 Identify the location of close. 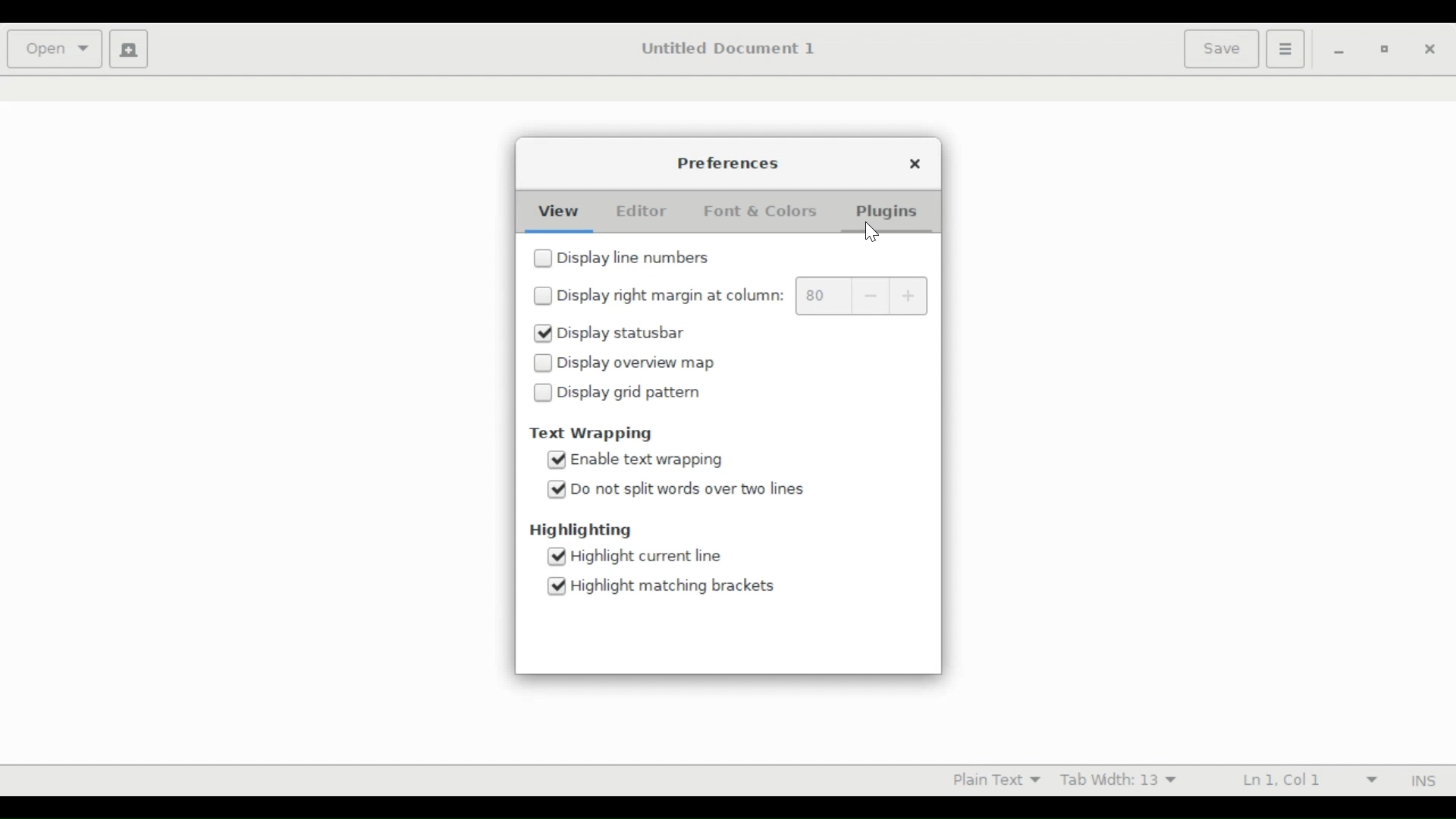
(1429, 49).